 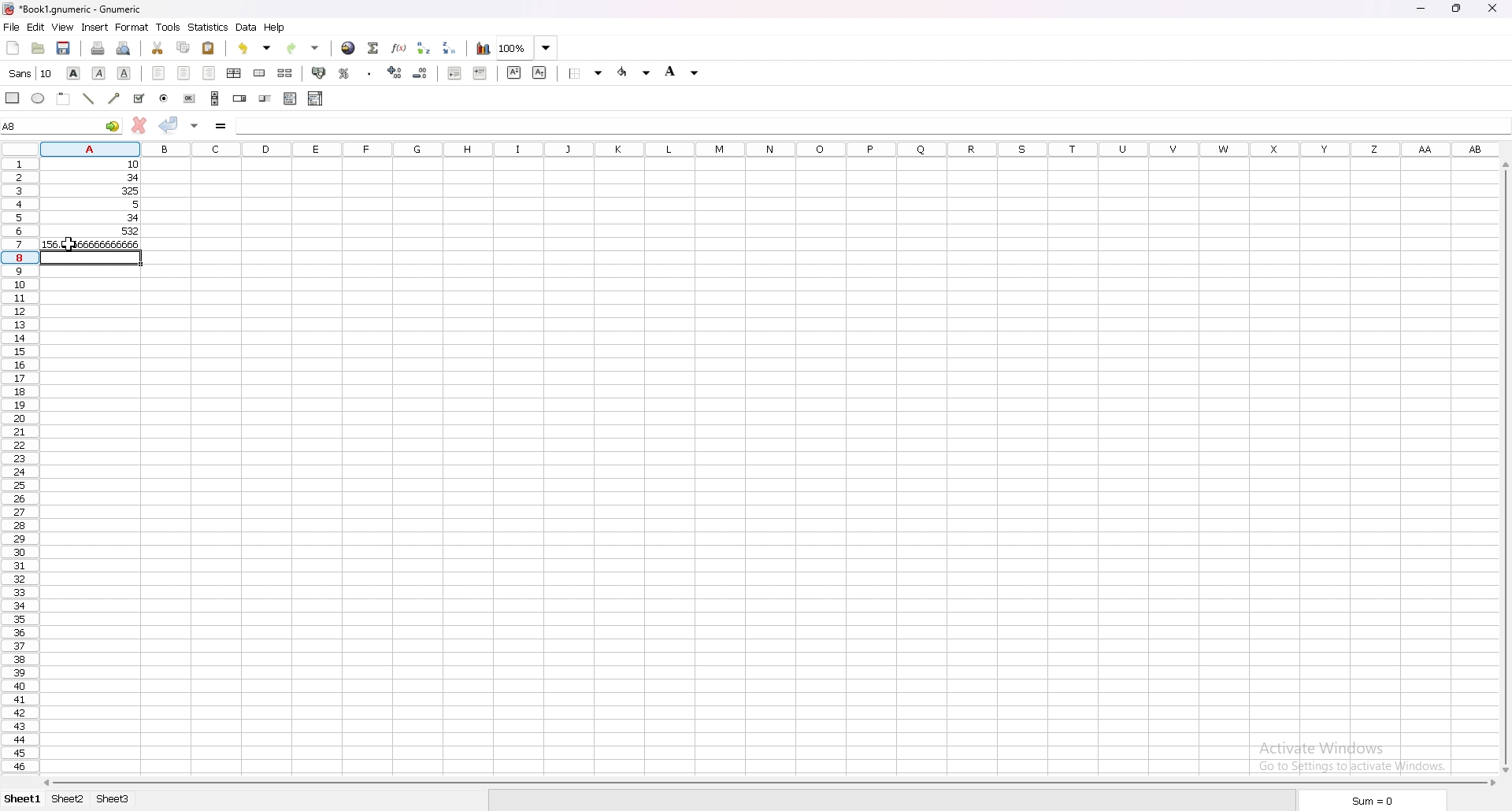 What do you see at coordinates (184, 46) in the screenshot?
I see `copy` at bounding box center [184, 46].